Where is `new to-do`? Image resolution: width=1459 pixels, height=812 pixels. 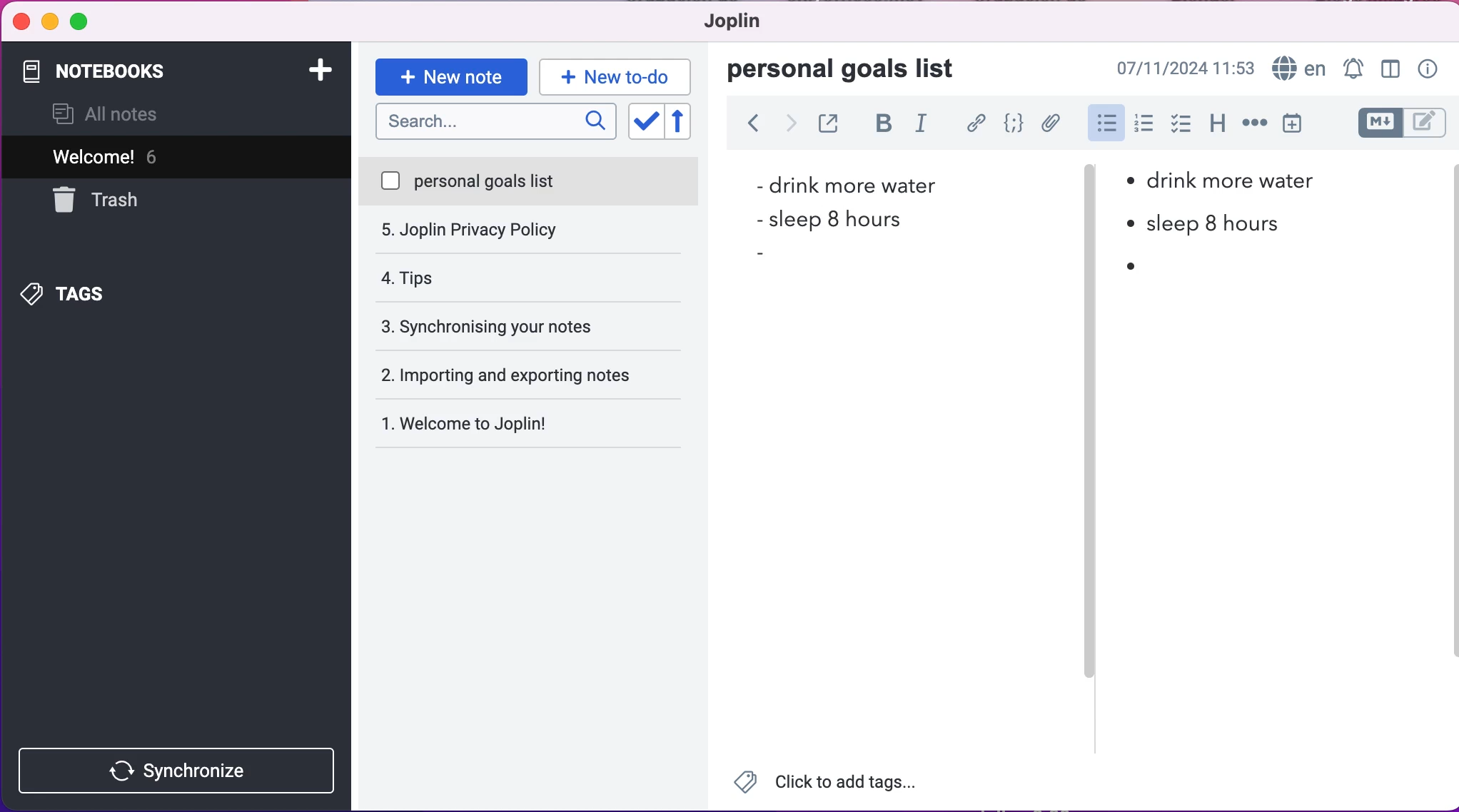
new to-do is located at coordinates (620, 76).